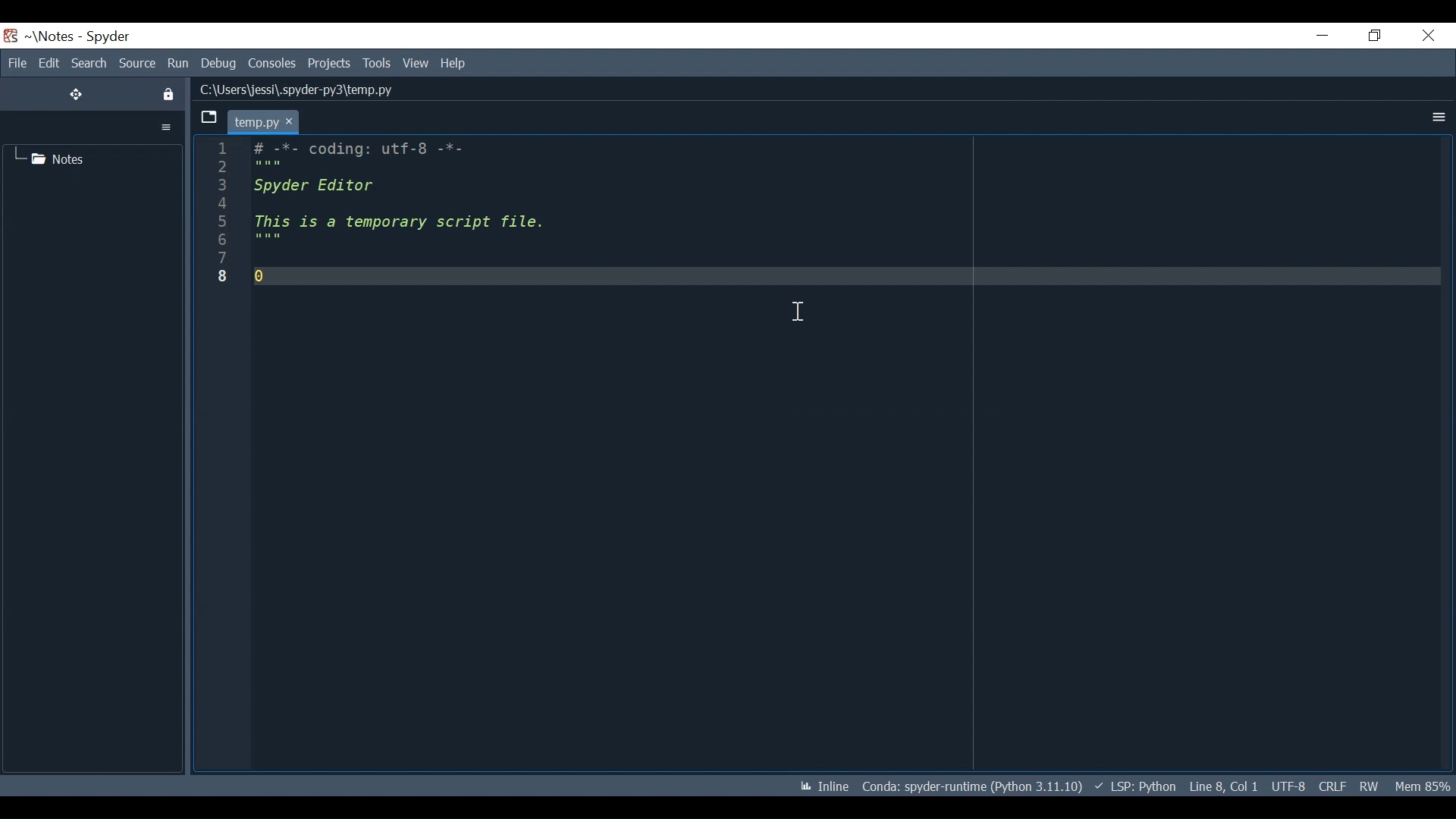  I want to click on Close, so click(1427, 36).